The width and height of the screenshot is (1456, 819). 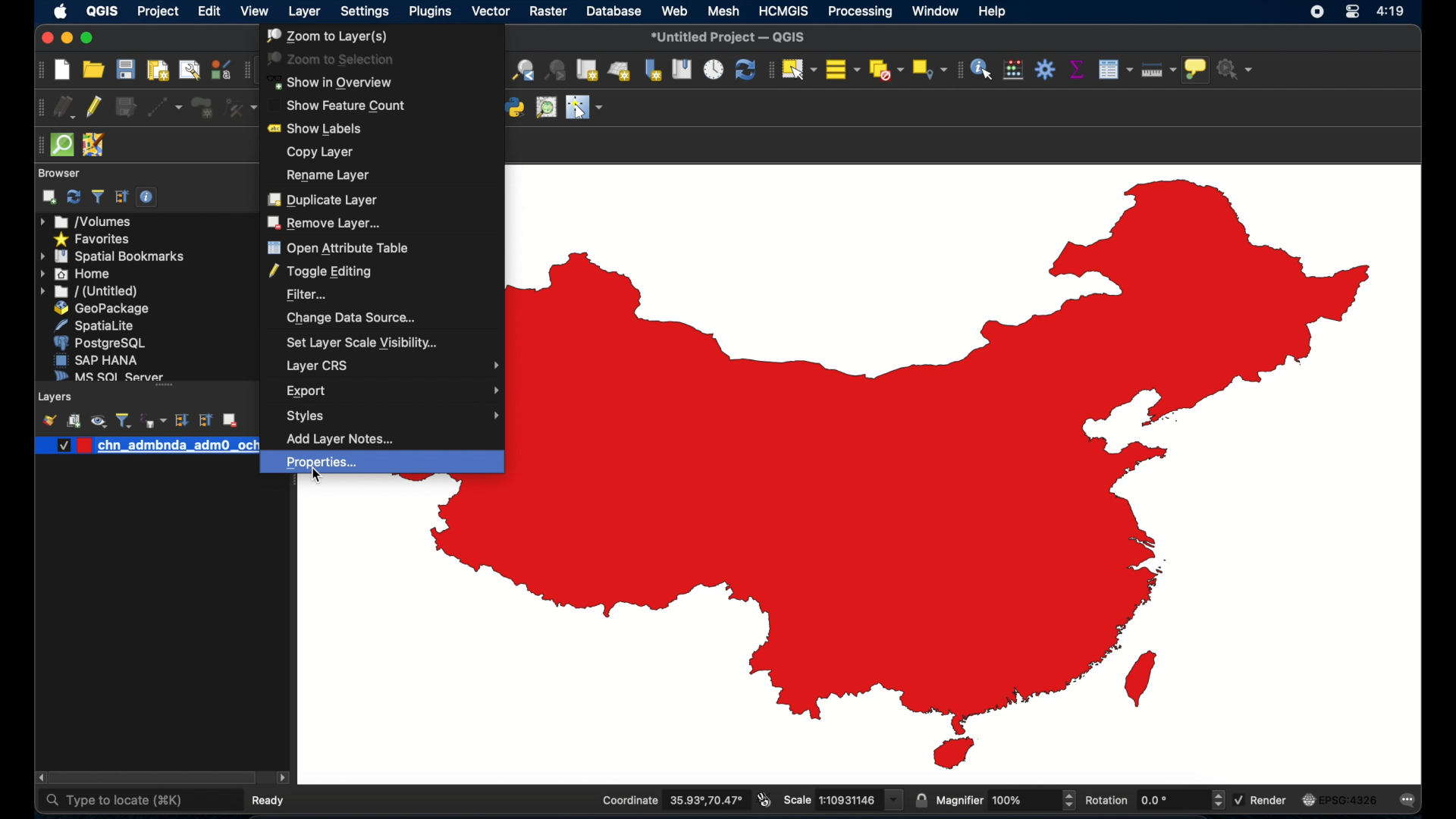 I want to click on rotation, so click(x=1147, y=800).